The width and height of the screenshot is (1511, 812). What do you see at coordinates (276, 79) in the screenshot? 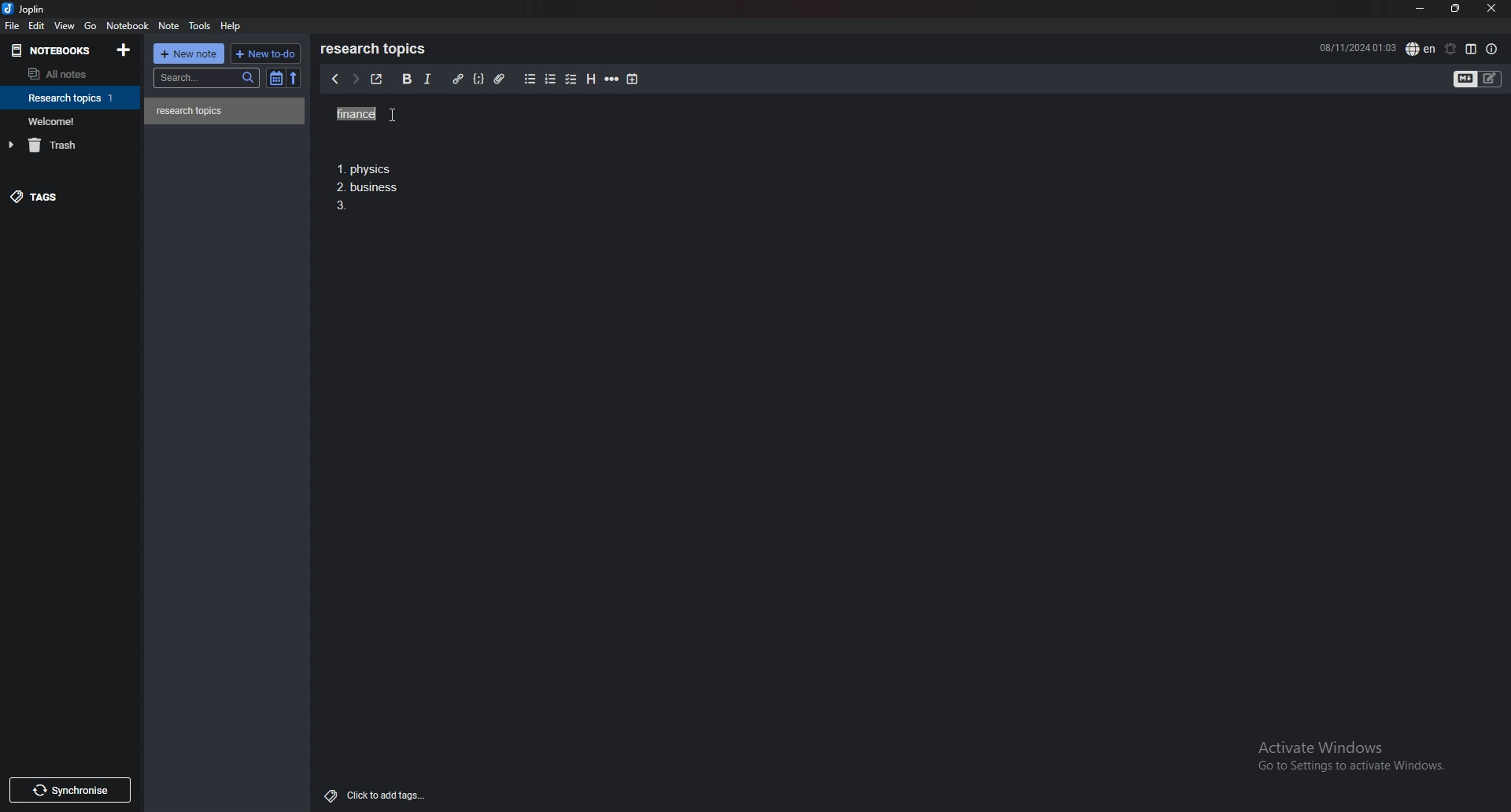
I see `toggle sort order` at bounding box center [276, 79].